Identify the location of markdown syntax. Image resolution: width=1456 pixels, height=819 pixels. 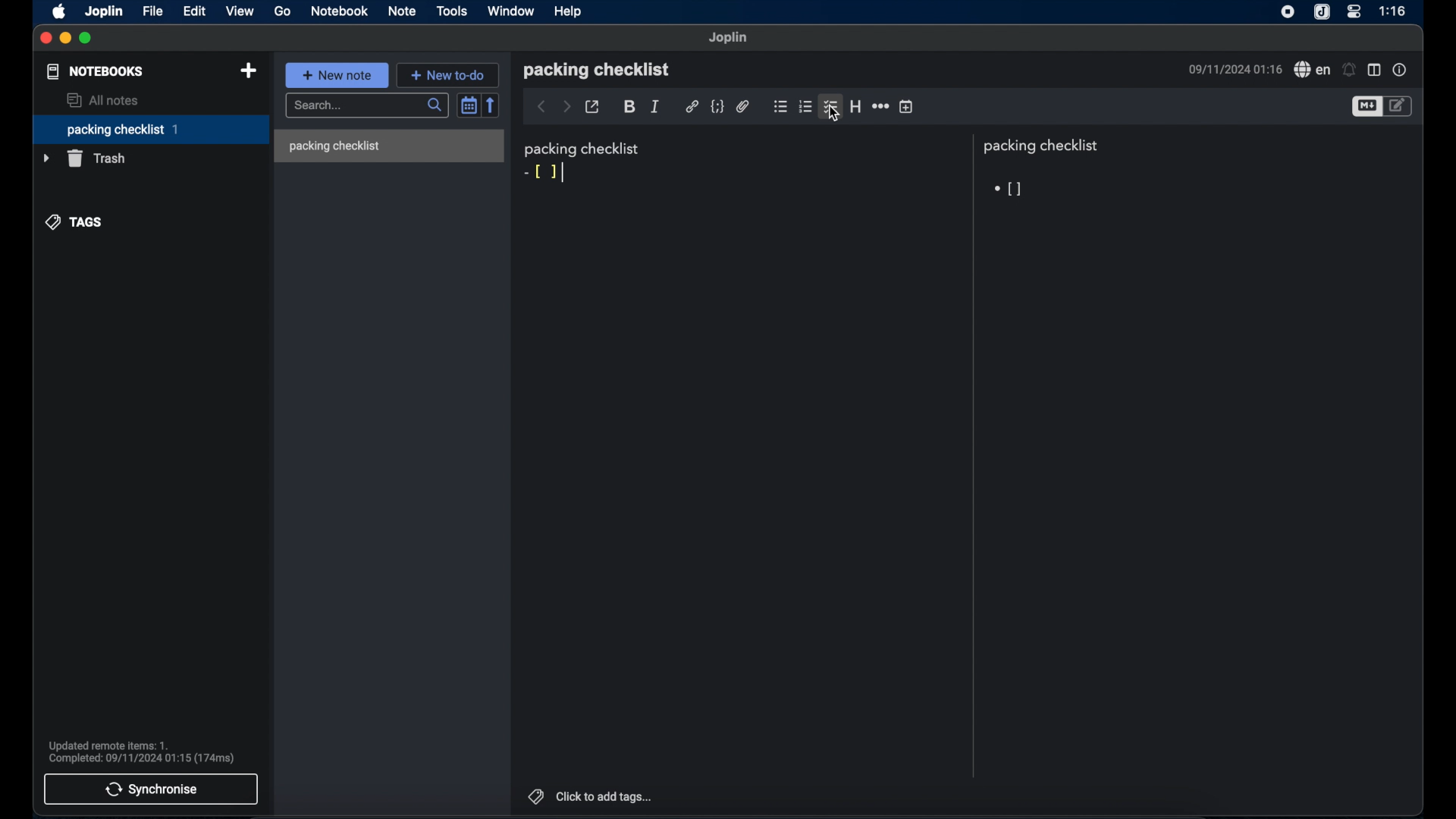
(541, 171).